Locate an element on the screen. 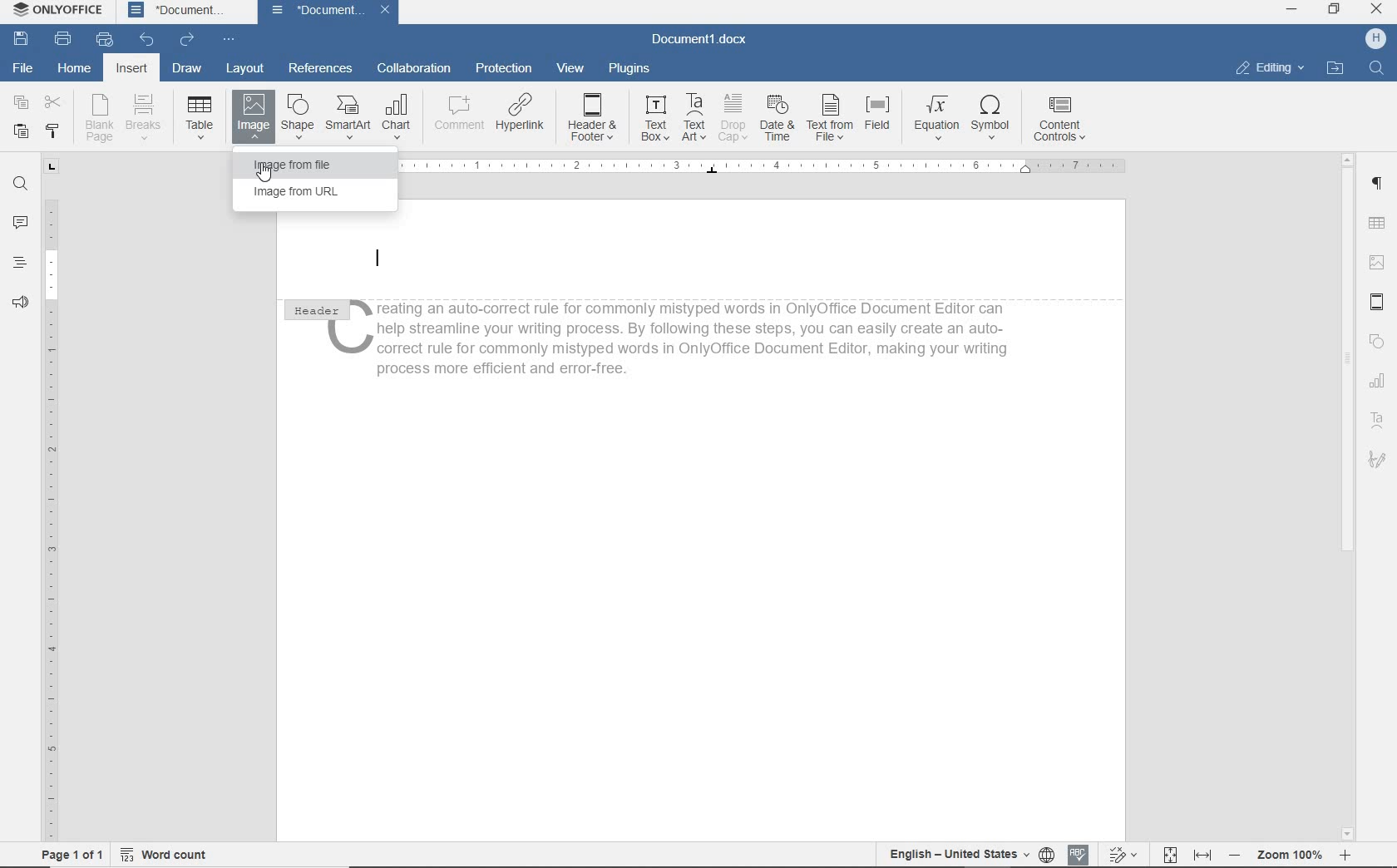 This screenshot has height=868, width=1397. maximize is located at coordinates (1335, 10).